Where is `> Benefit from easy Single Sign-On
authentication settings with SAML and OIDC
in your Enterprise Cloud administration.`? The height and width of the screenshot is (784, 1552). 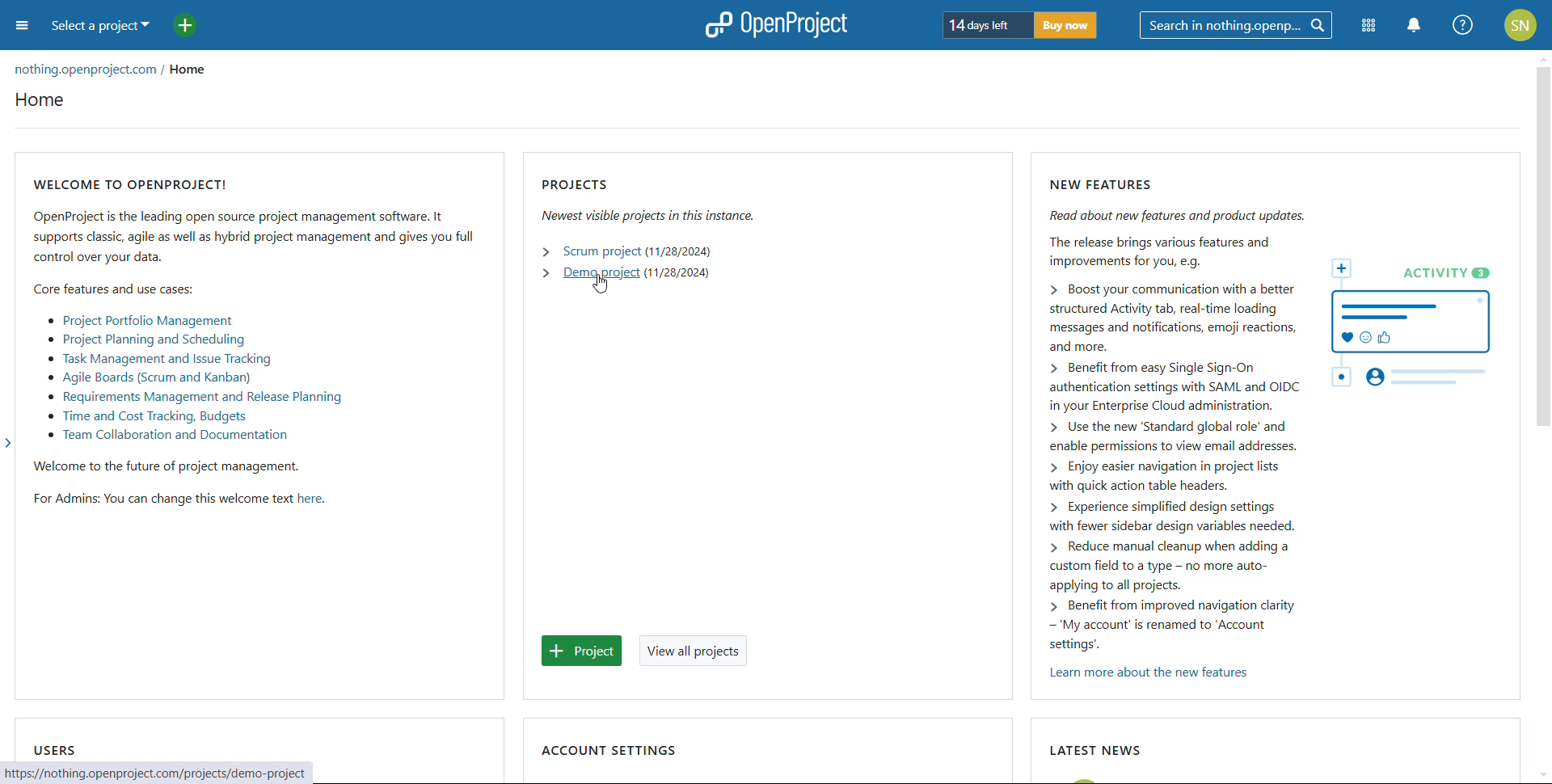 > Benefit from easy Single Sign-On
authentication settings with SAML and OIDC
in your Enterprise Cloud administration. is located at coordinates (1172, 386).